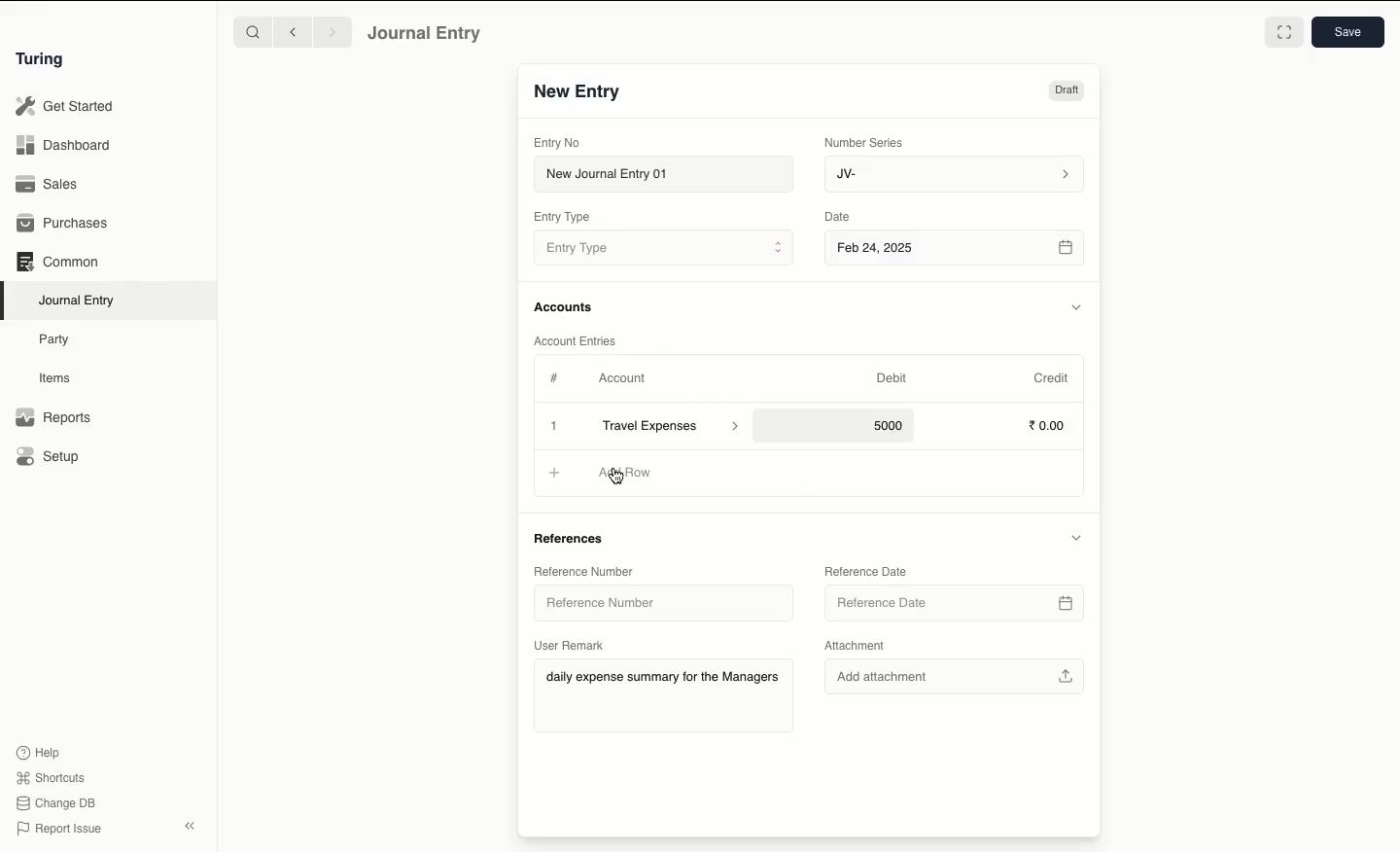 The image size is (1400, 852). What do you see at coordinates (1053, 378) in the screenshot?
I see `Credit` at bounding box center [1053, 378].